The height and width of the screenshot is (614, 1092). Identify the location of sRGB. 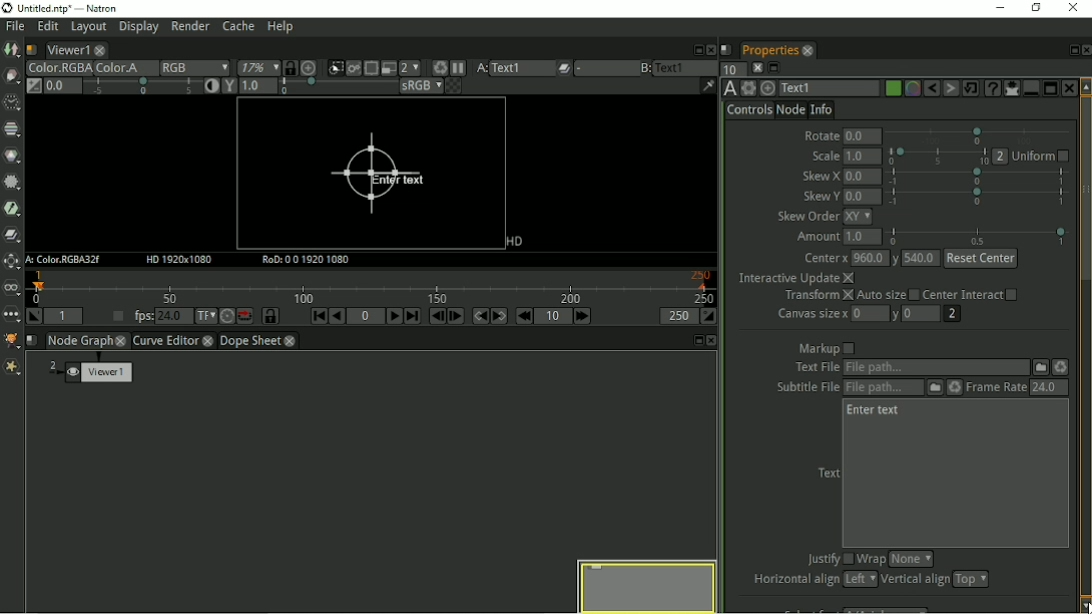
(420, 87).